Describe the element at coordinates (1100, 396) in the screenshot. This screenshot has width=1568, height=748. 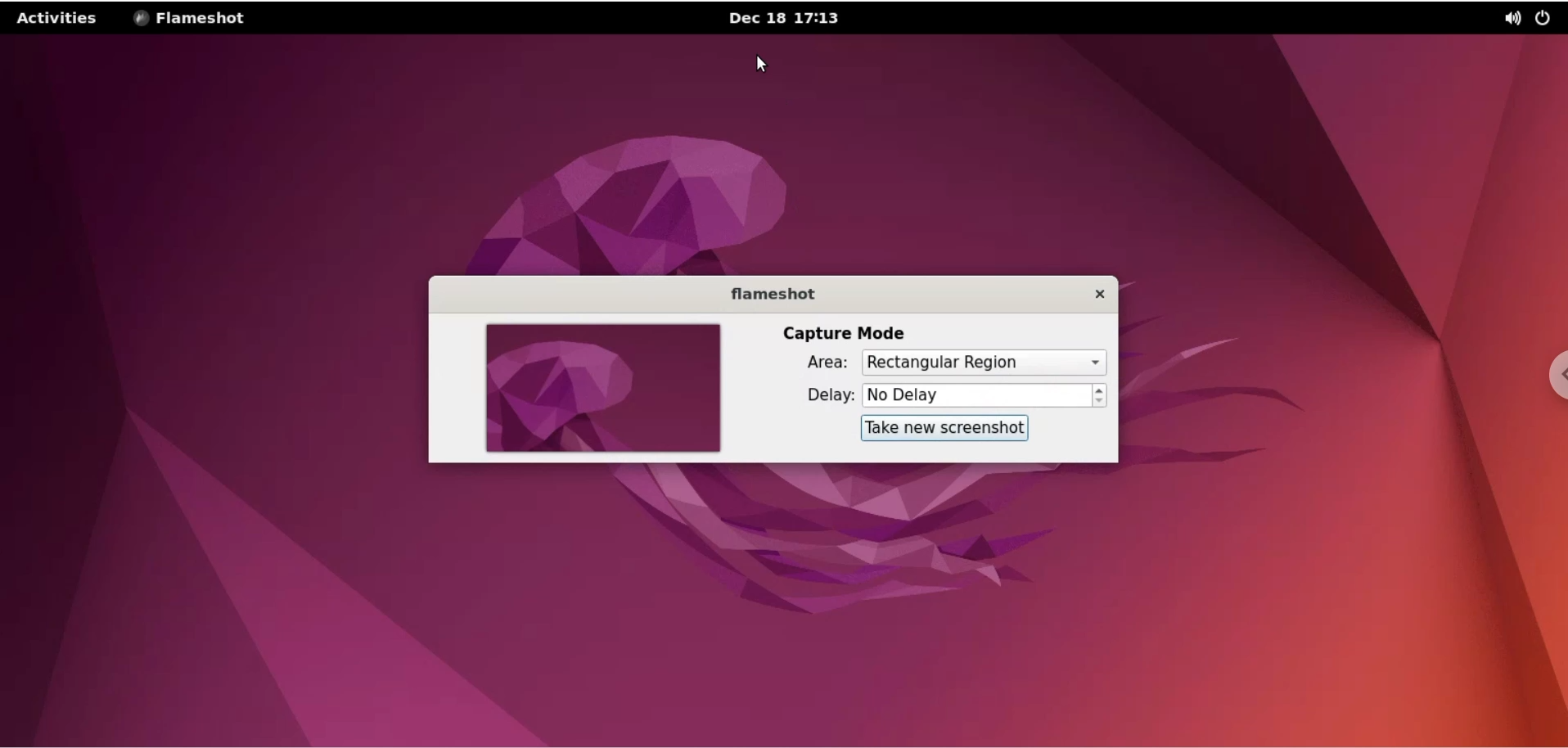
I see `increment and decrement delay buttons` at that location.